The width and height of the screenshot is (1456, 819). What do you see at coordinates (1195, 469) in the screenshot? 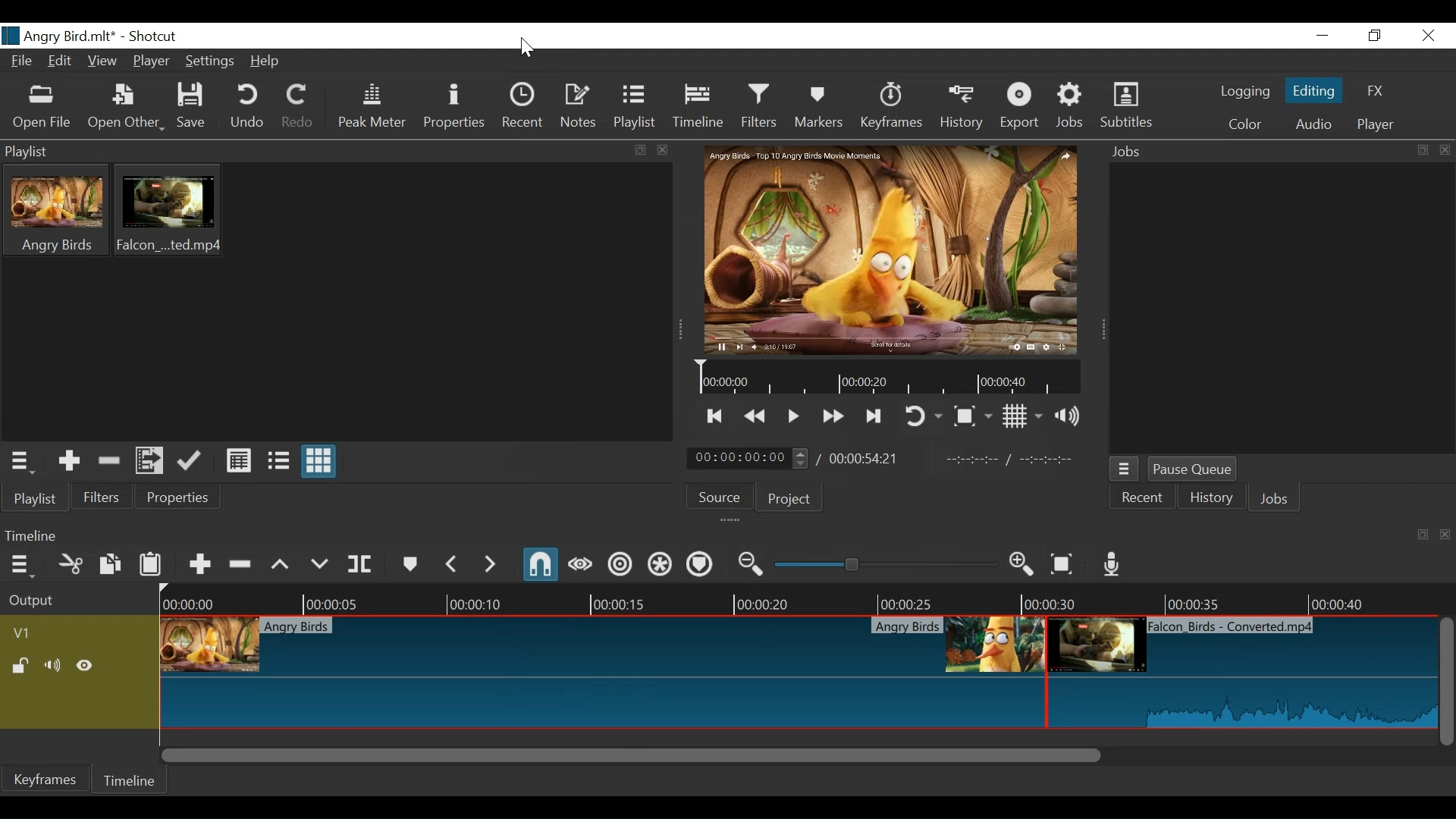
I see `Pause Queue` at bounding box center [1195, 469].